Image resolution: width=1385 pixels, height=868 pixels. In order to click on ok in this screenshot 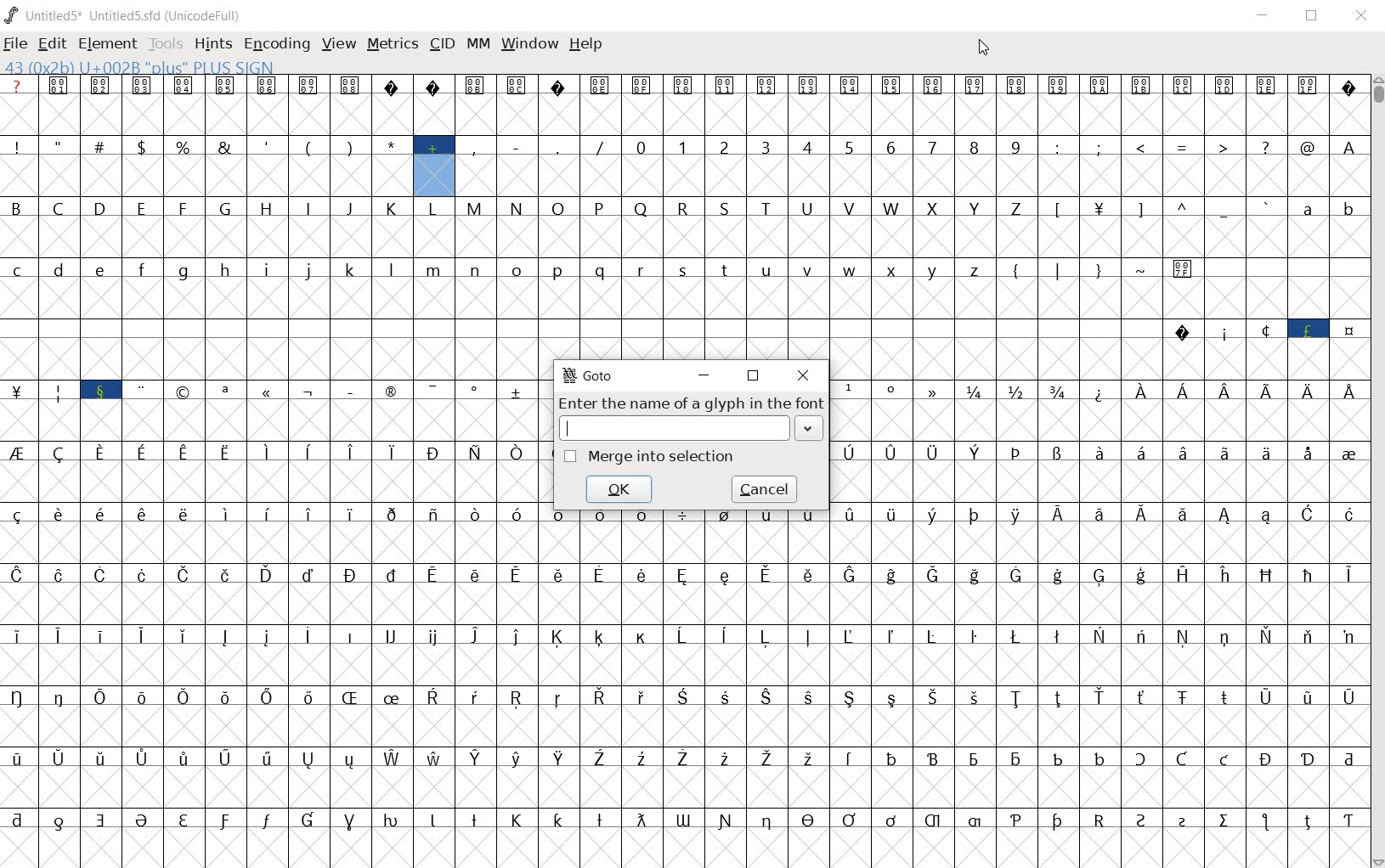, I will do `click(623, 490)`.